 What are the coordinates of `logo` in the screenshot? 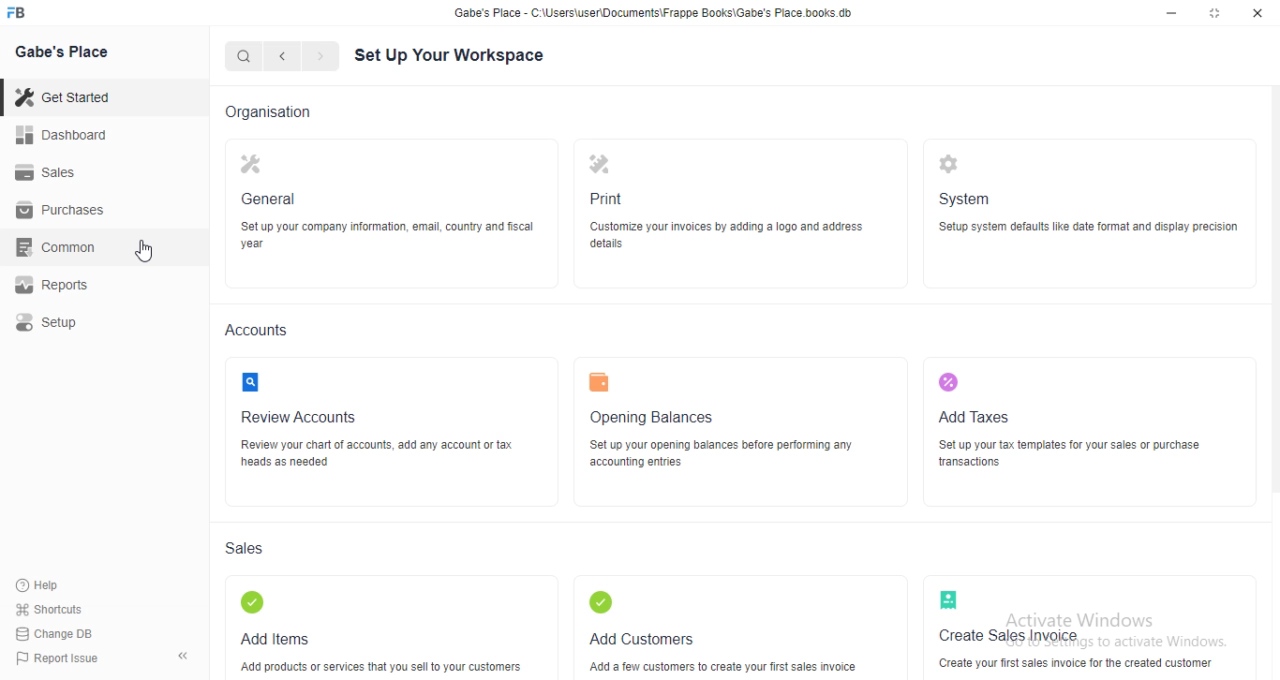 It's located at (252, 383).